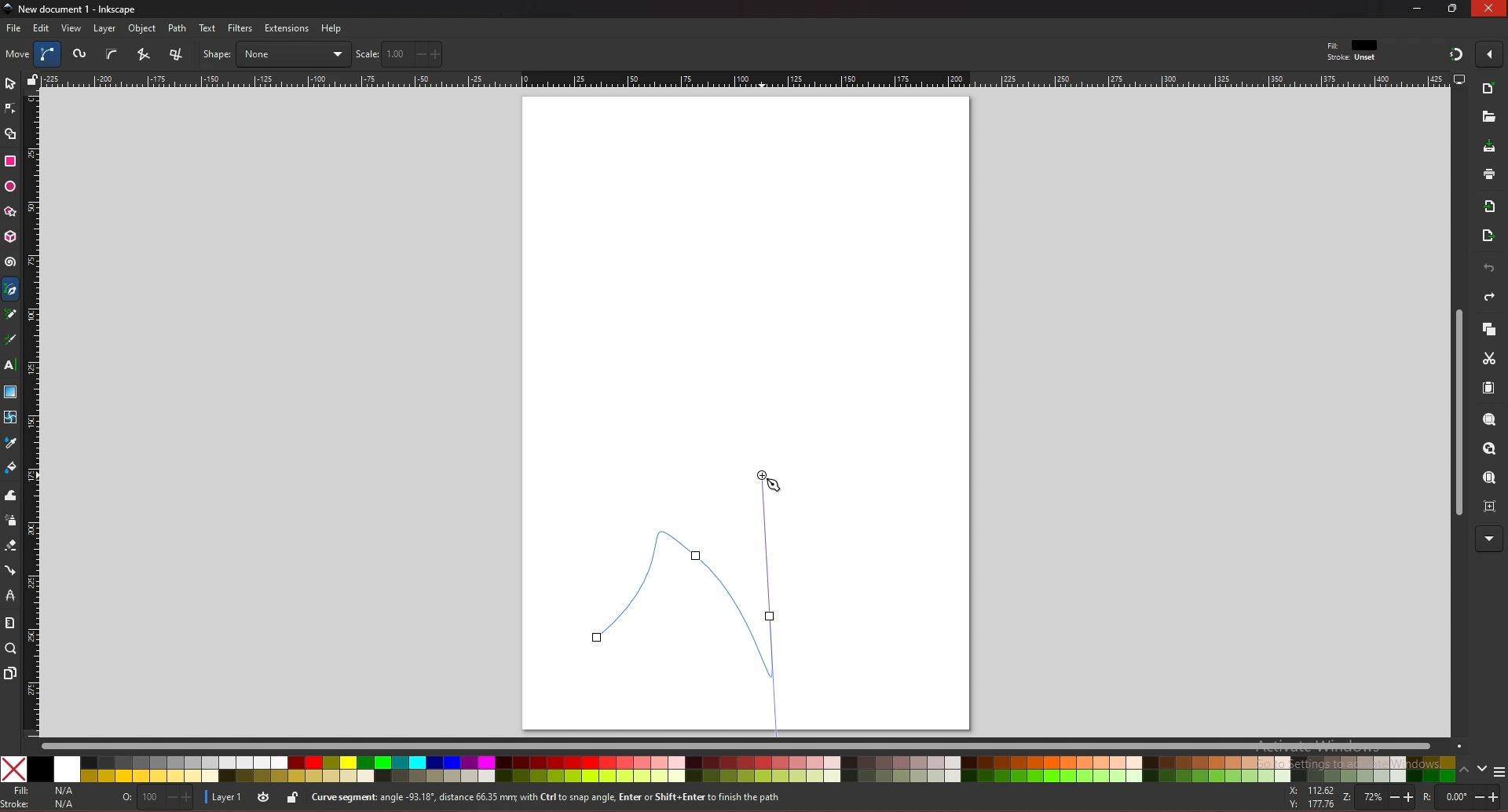 Image resolution: width=1508 pixels, height=812 pixels. Describe the element at coordinates (1492, 505) in the screenshot. I see `zoom centre page` at that location.